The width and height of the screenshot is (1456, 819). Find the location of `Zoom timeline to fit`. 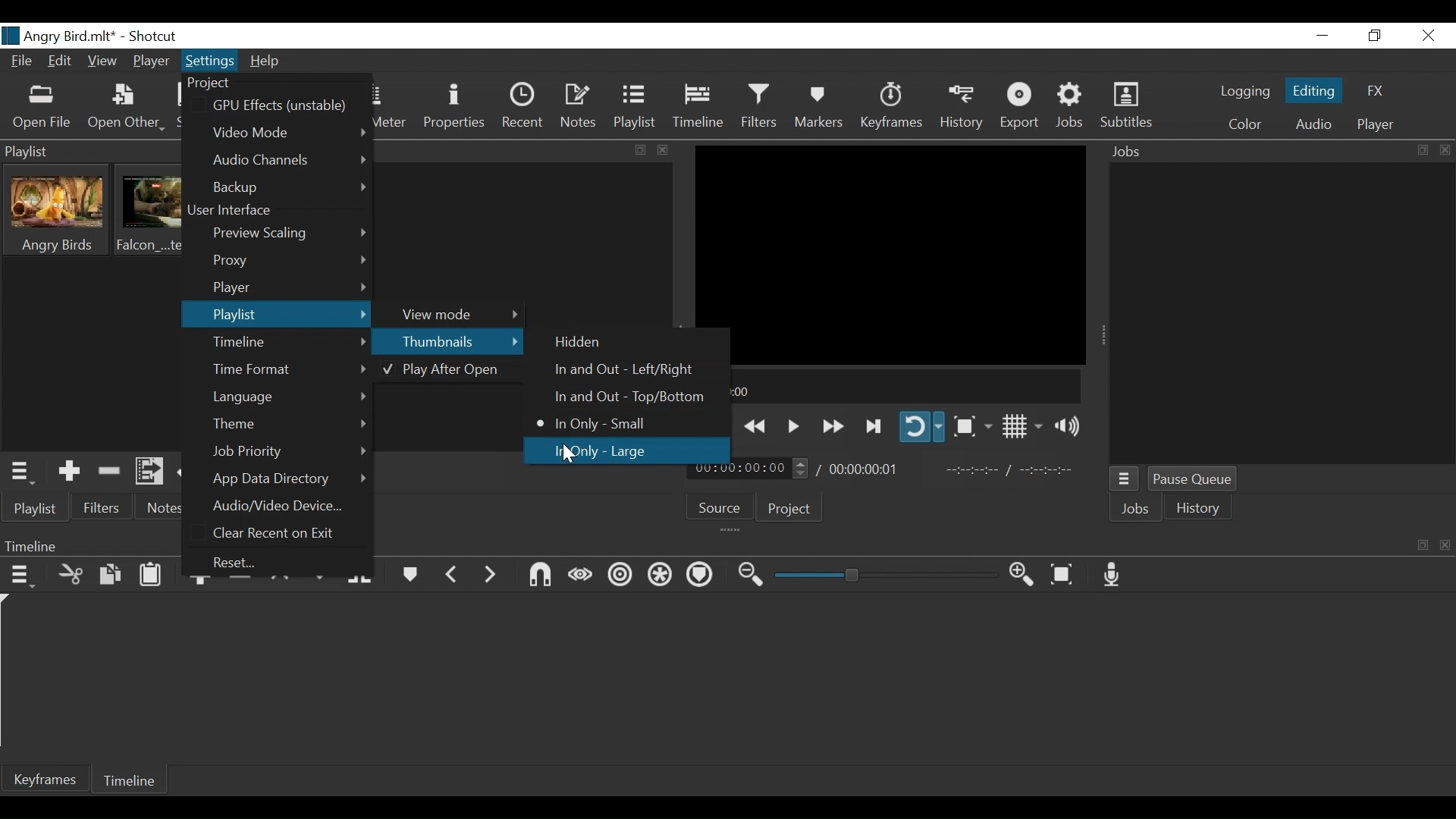

Zoom timeline to fit is located at coordinates (1064, 575).